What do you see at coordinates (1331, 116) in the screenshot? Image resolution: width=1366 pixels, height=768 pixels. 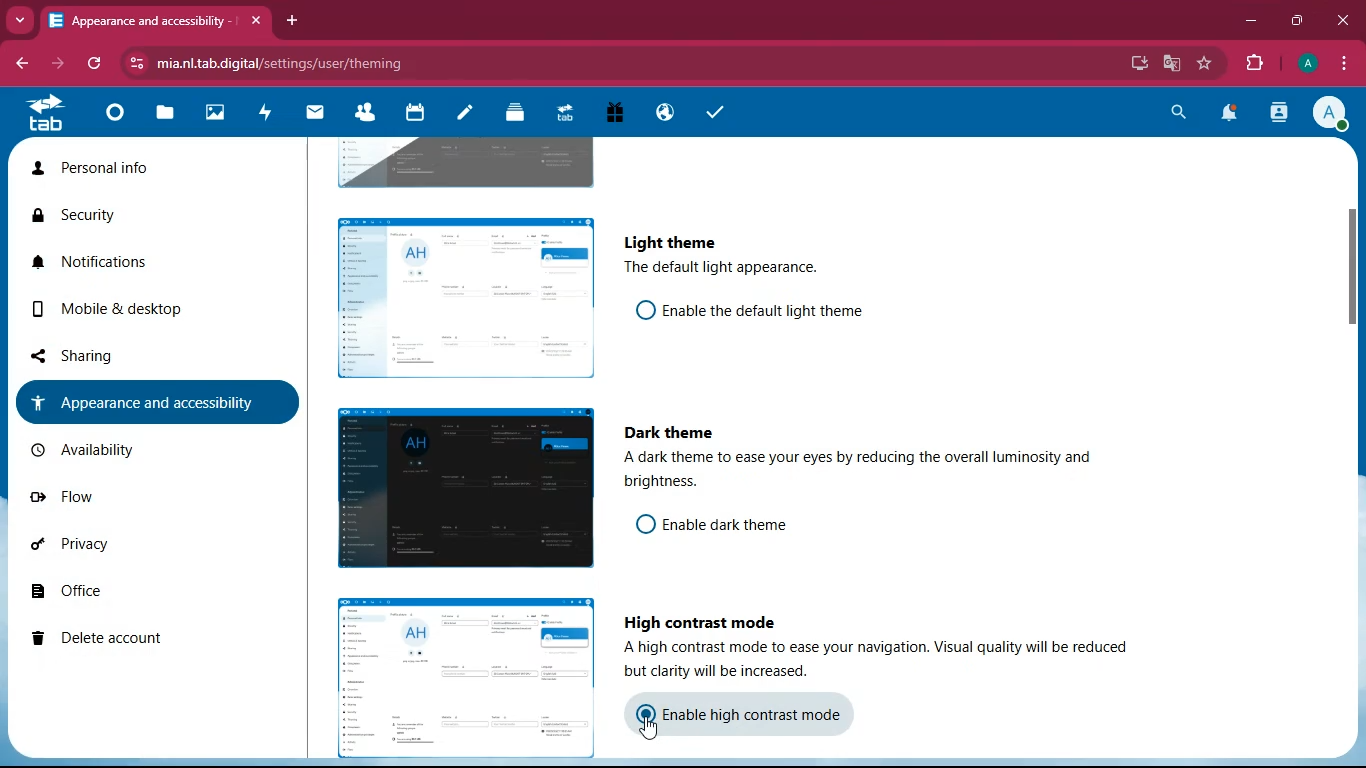 I see `profile` at bounding box center [1331, 116].